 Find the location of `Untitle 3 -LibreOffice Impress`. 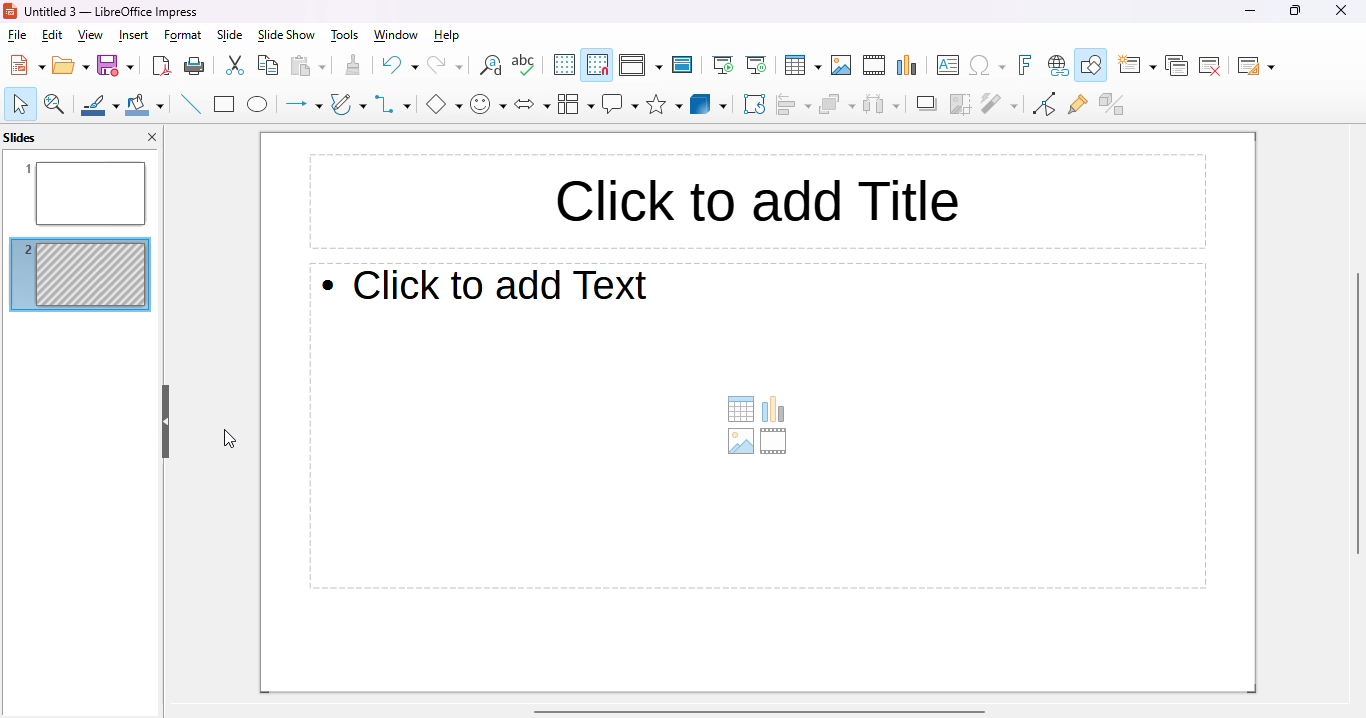

Untitle 3 -LibreOffice Impress is located at coordinates (111, 11).